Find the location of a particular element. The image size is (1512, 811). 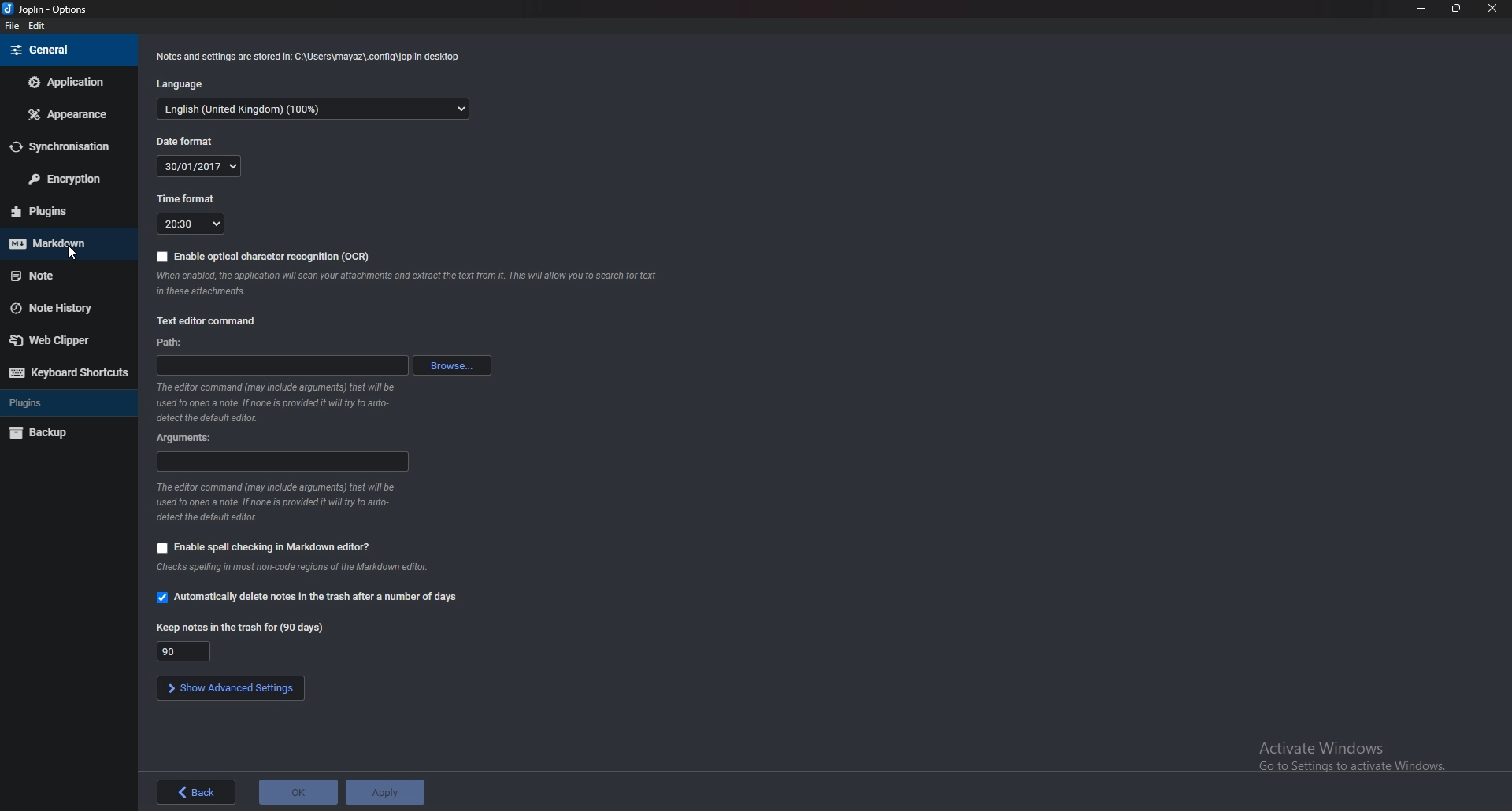

Date format is located at coordinates (201, 166).